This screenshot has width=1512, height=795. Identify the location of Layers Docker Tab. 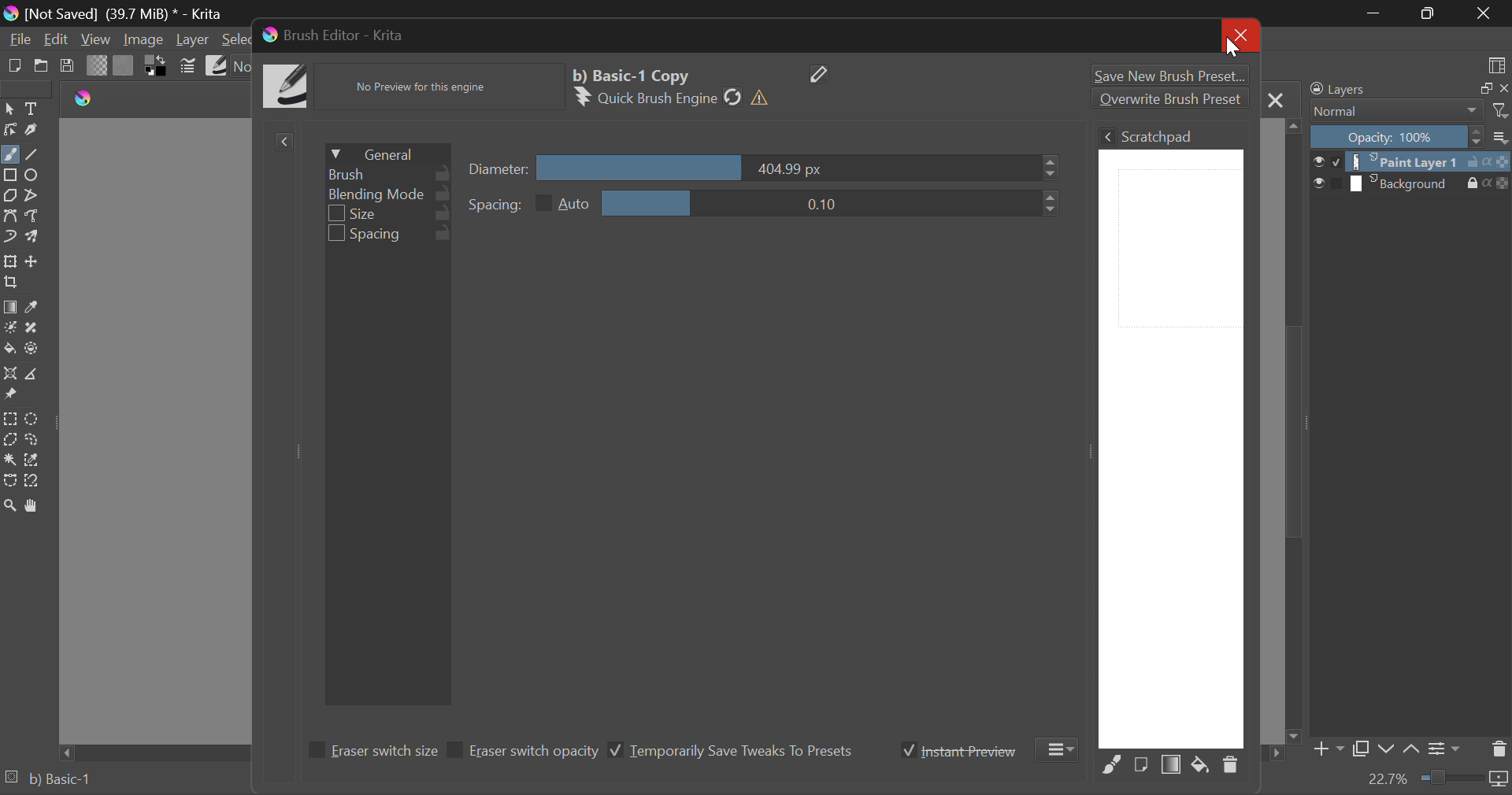
(1408, 89).